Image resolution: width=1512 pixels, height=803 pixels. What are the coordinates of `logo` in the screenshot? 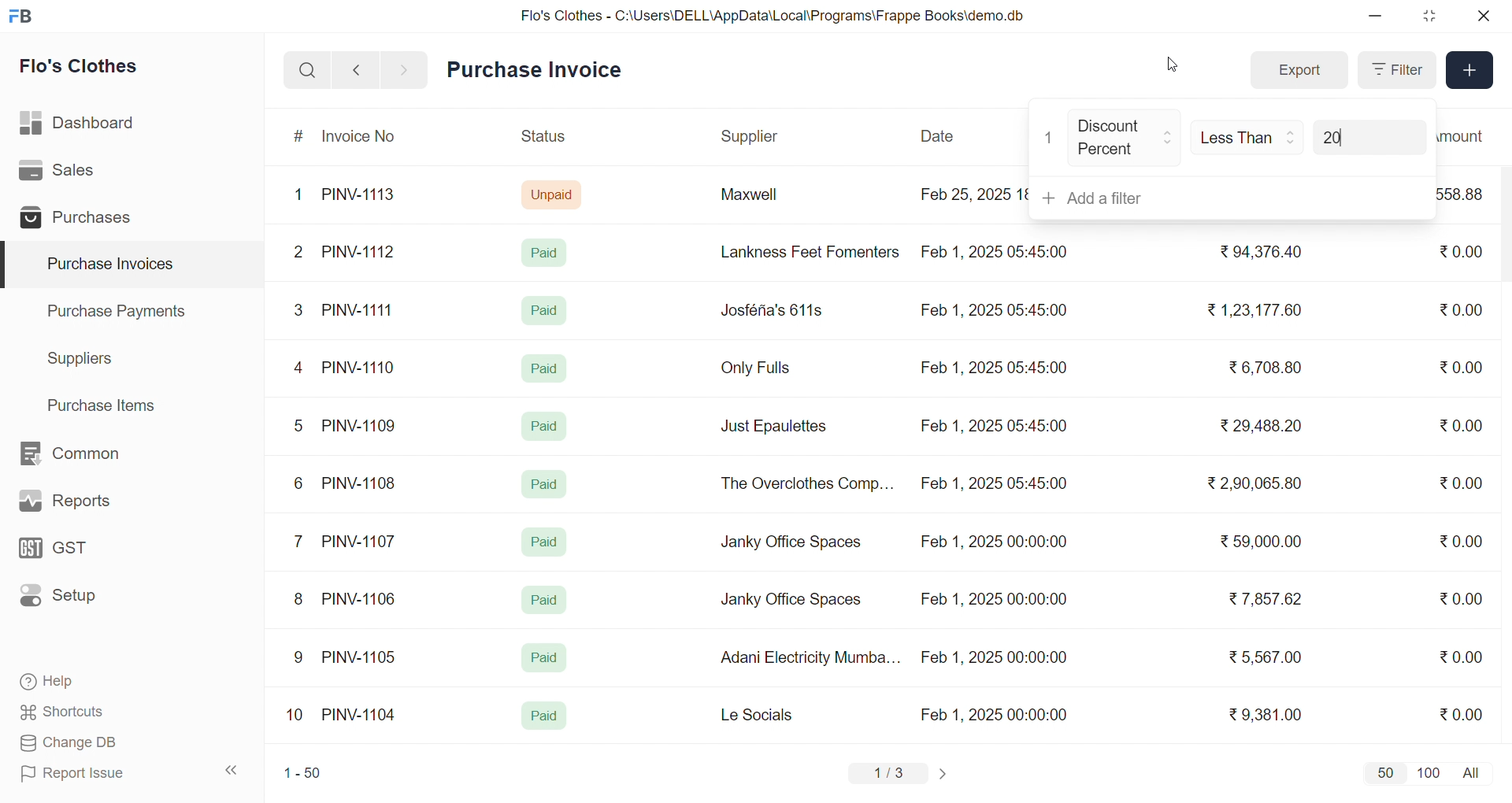 It's located at (24, 17).